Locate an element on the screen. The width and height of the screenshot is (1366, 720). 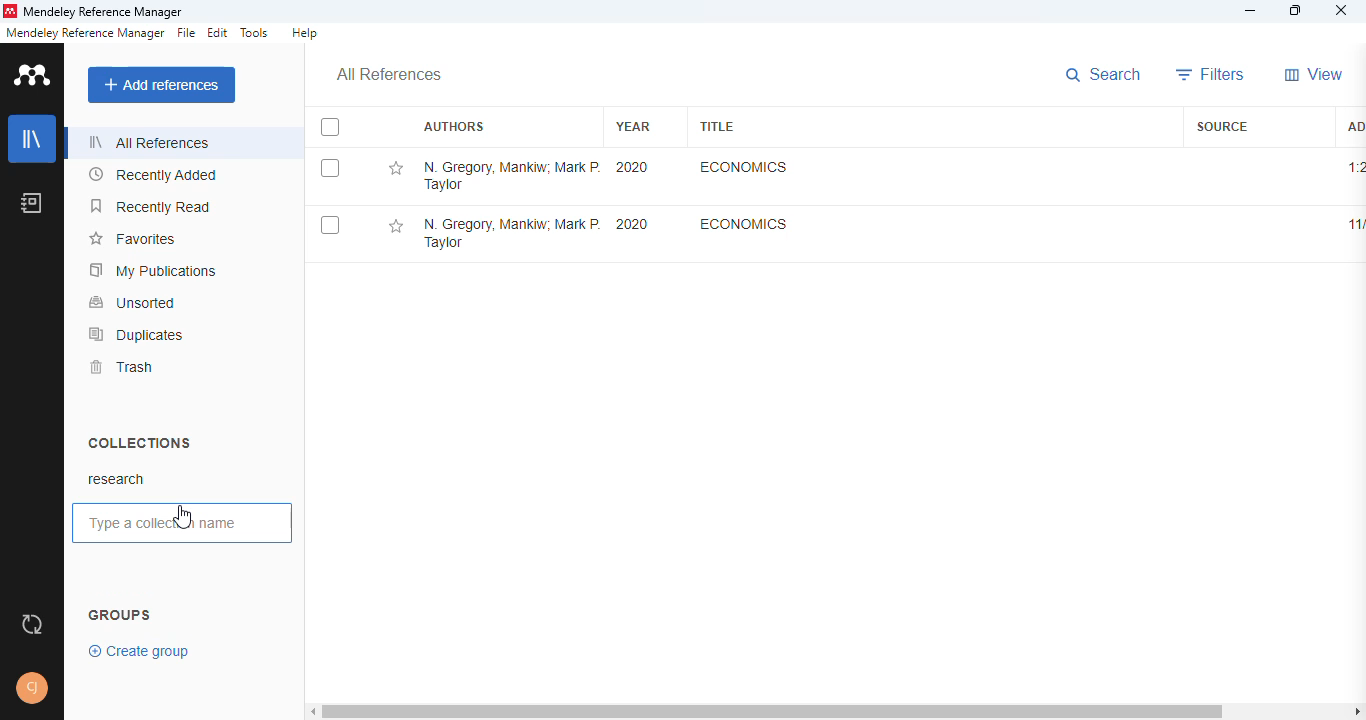
groups is located at coordinates (120, 616).